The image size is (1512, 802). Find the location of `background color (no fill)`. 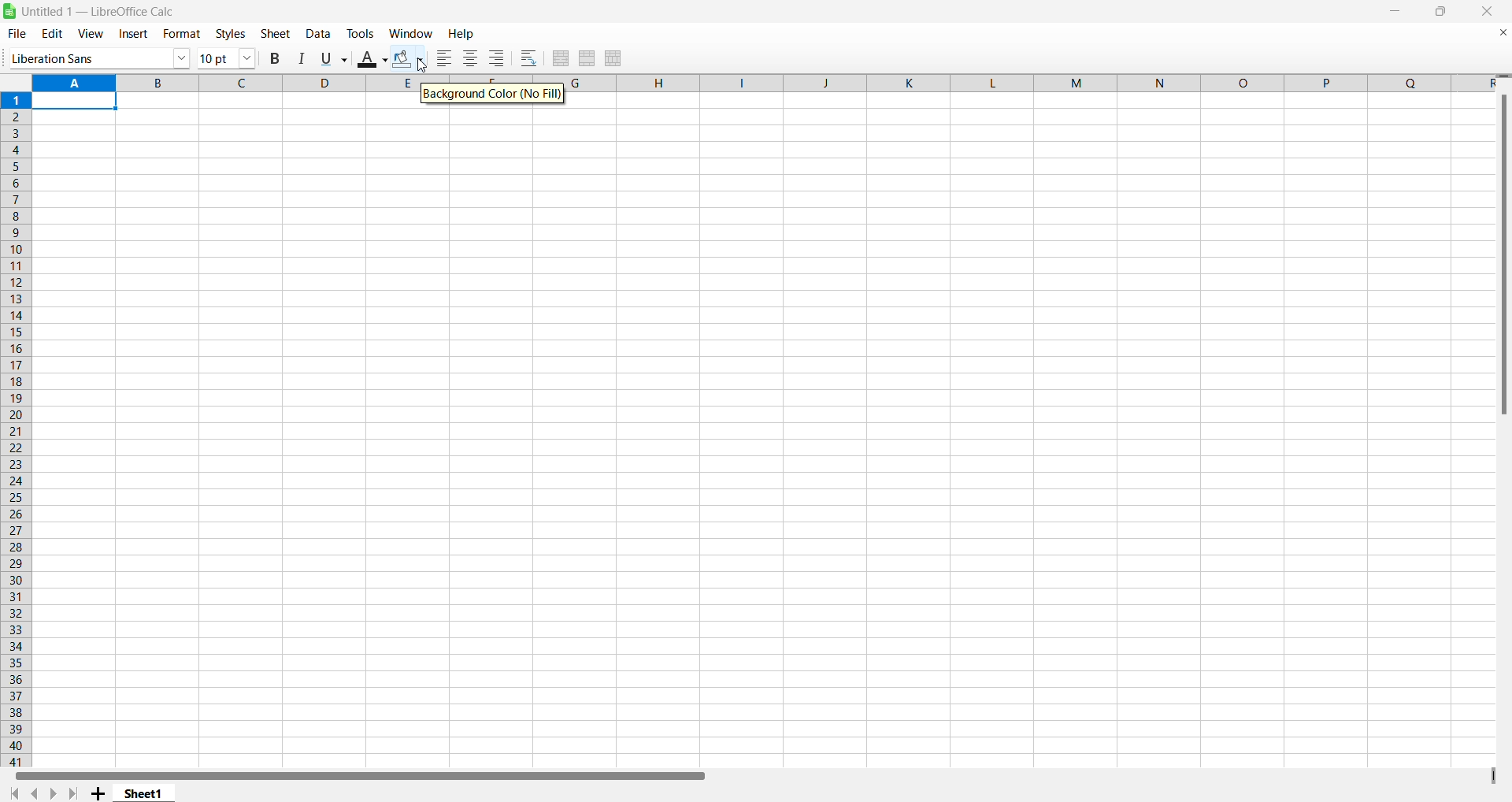

background color (no fill) is located at coordinates (494, 93).